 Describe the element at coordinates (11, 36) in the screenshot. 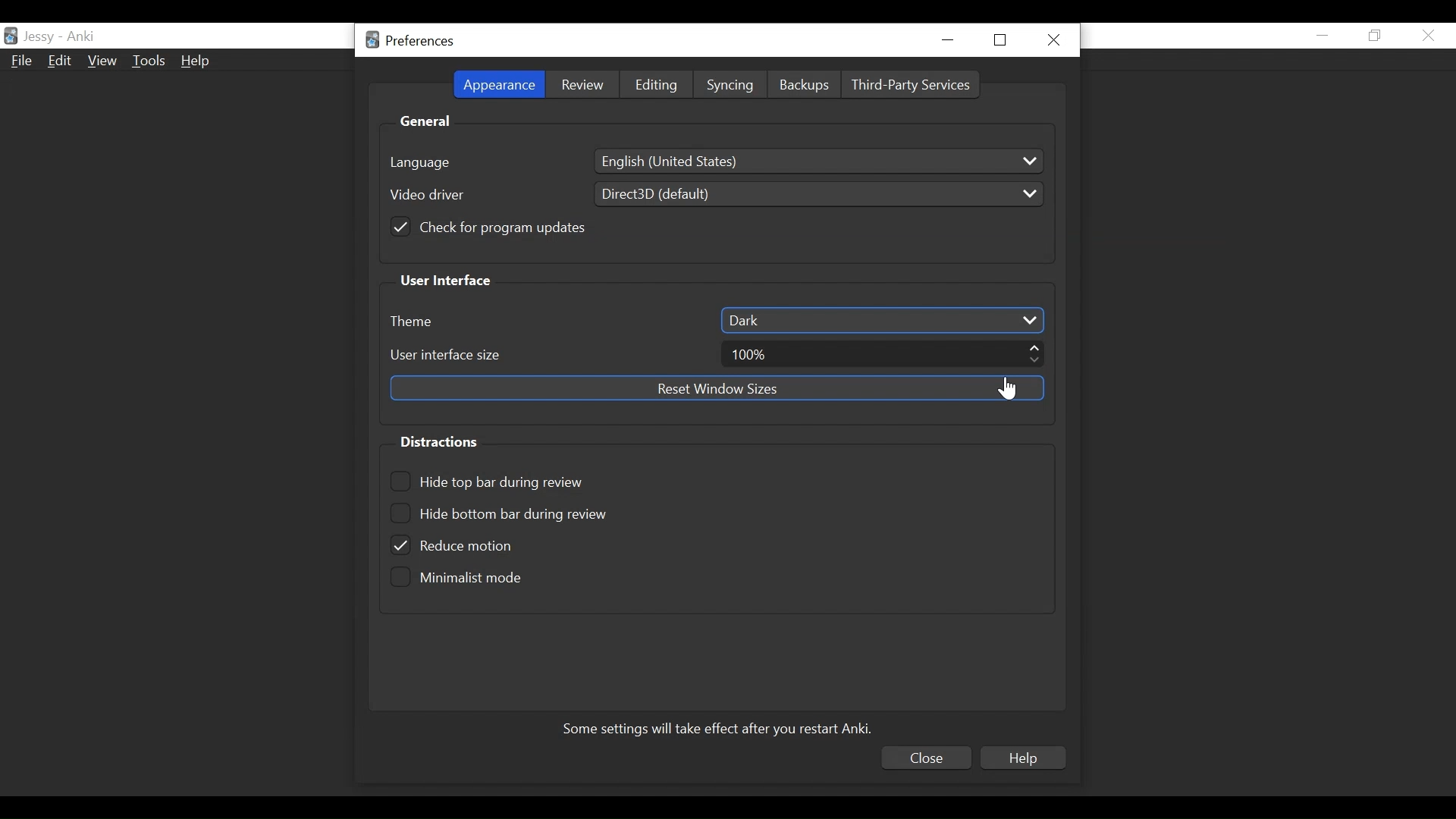

I see `Anki Desktop Icon` at that location.